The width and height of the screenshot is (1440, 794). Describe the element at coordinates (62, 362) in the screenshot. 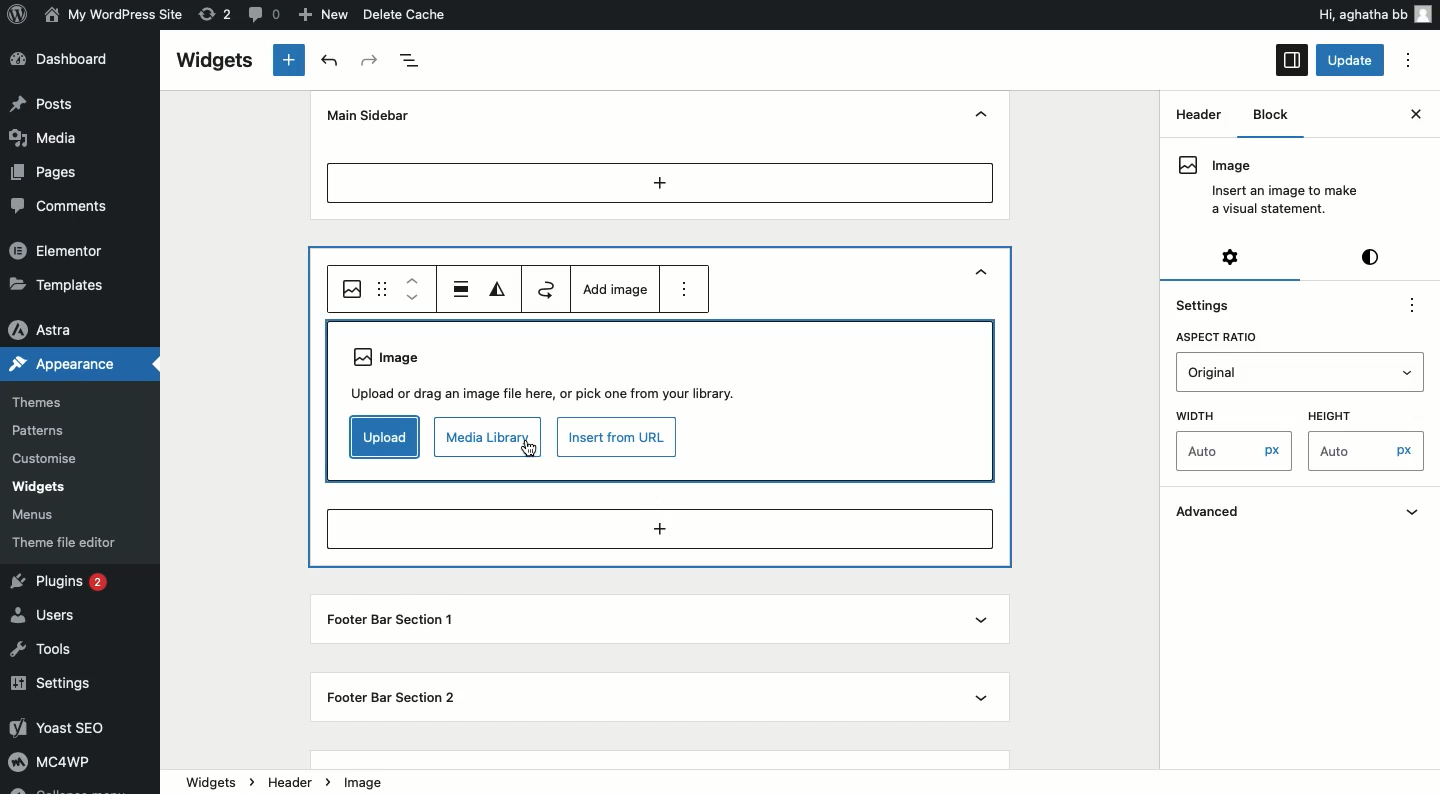

I see `Appearance` at that location.